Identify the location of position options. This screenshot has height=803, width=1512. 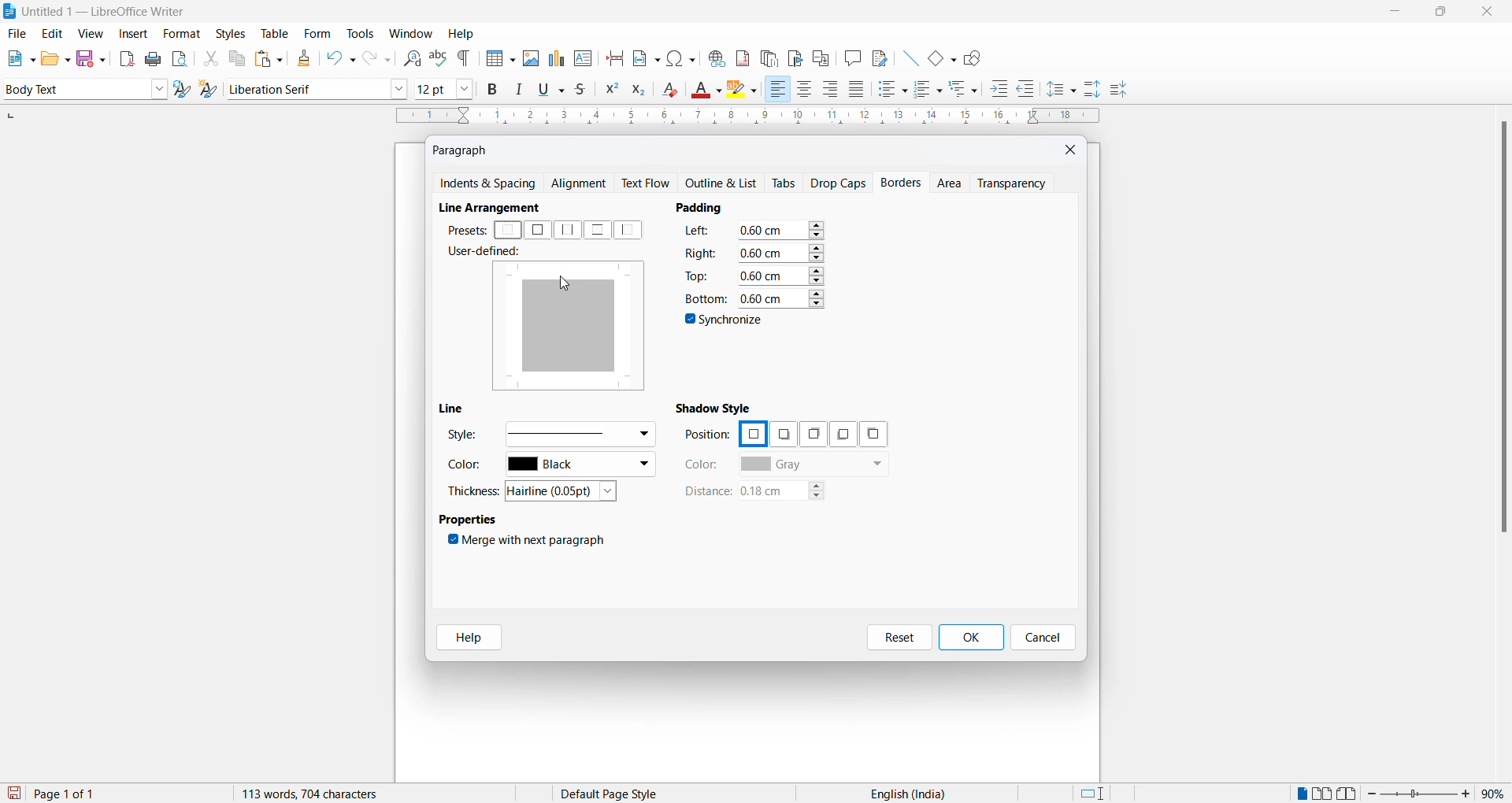
(873, 434).